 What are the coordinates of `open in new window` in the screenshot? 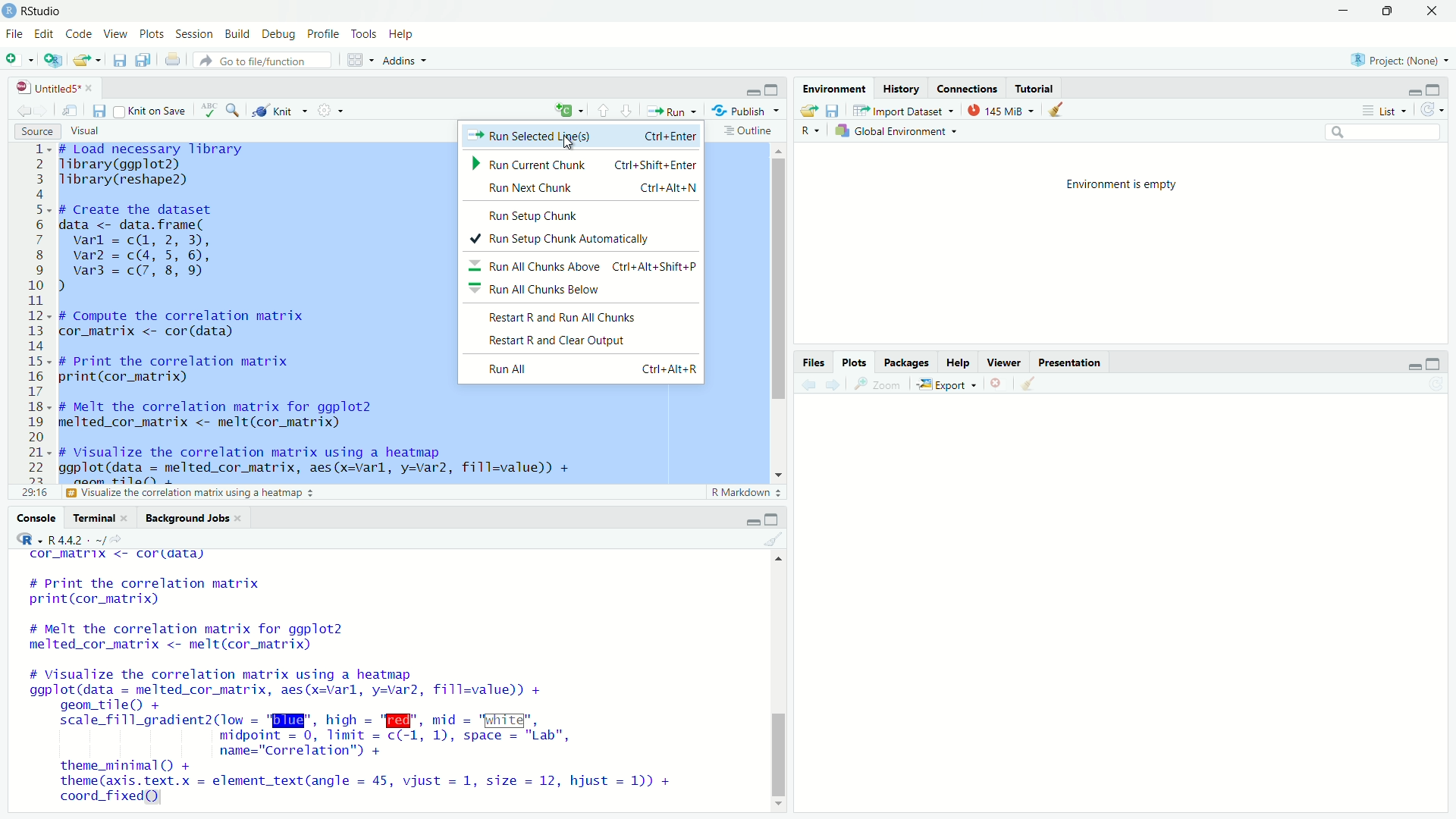 It's located at (74, 111).